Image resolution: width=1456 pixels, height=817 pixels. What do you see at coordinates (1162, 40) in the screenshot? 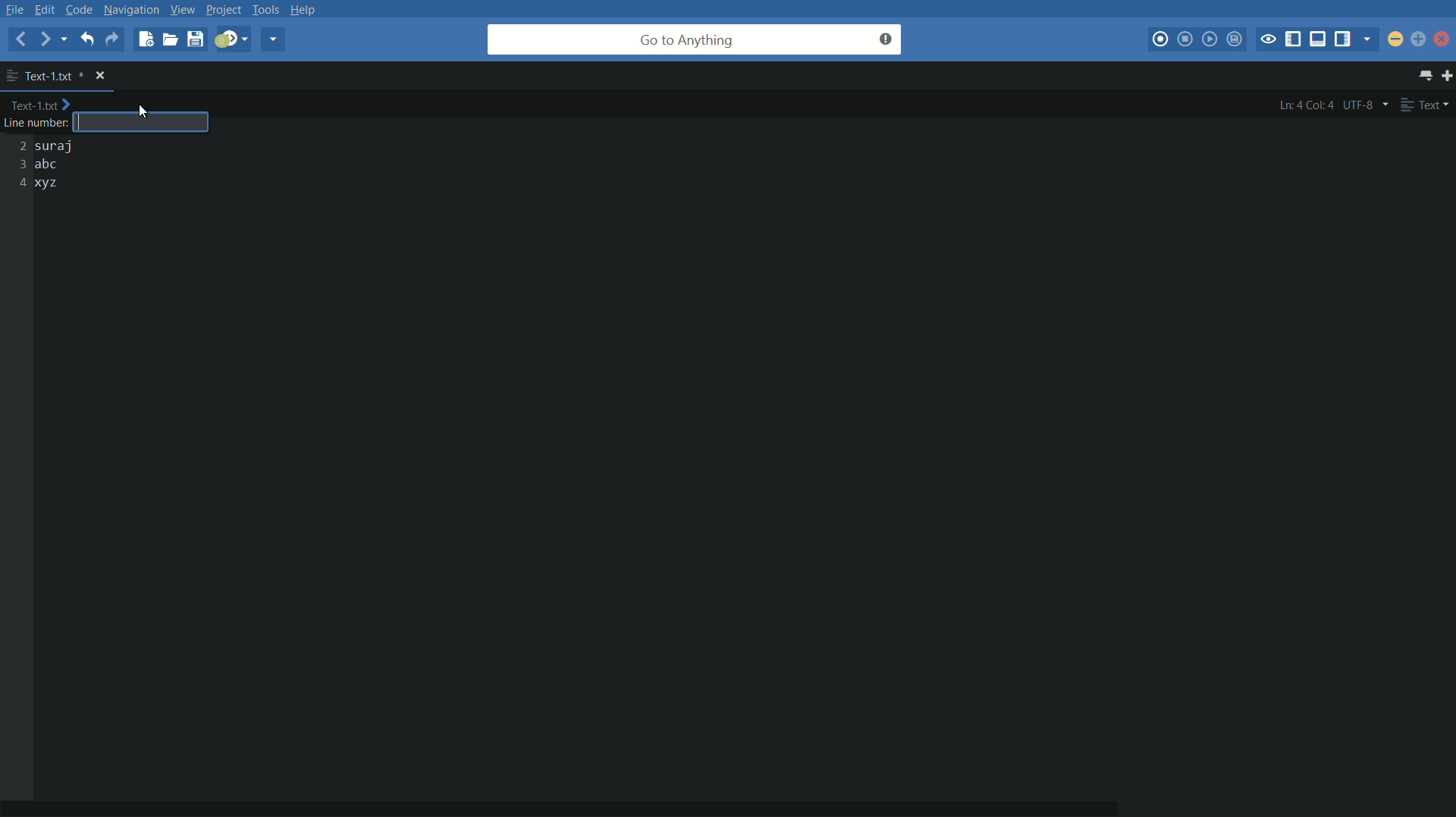
I see `start macro` at bounding box center [1162, 40].